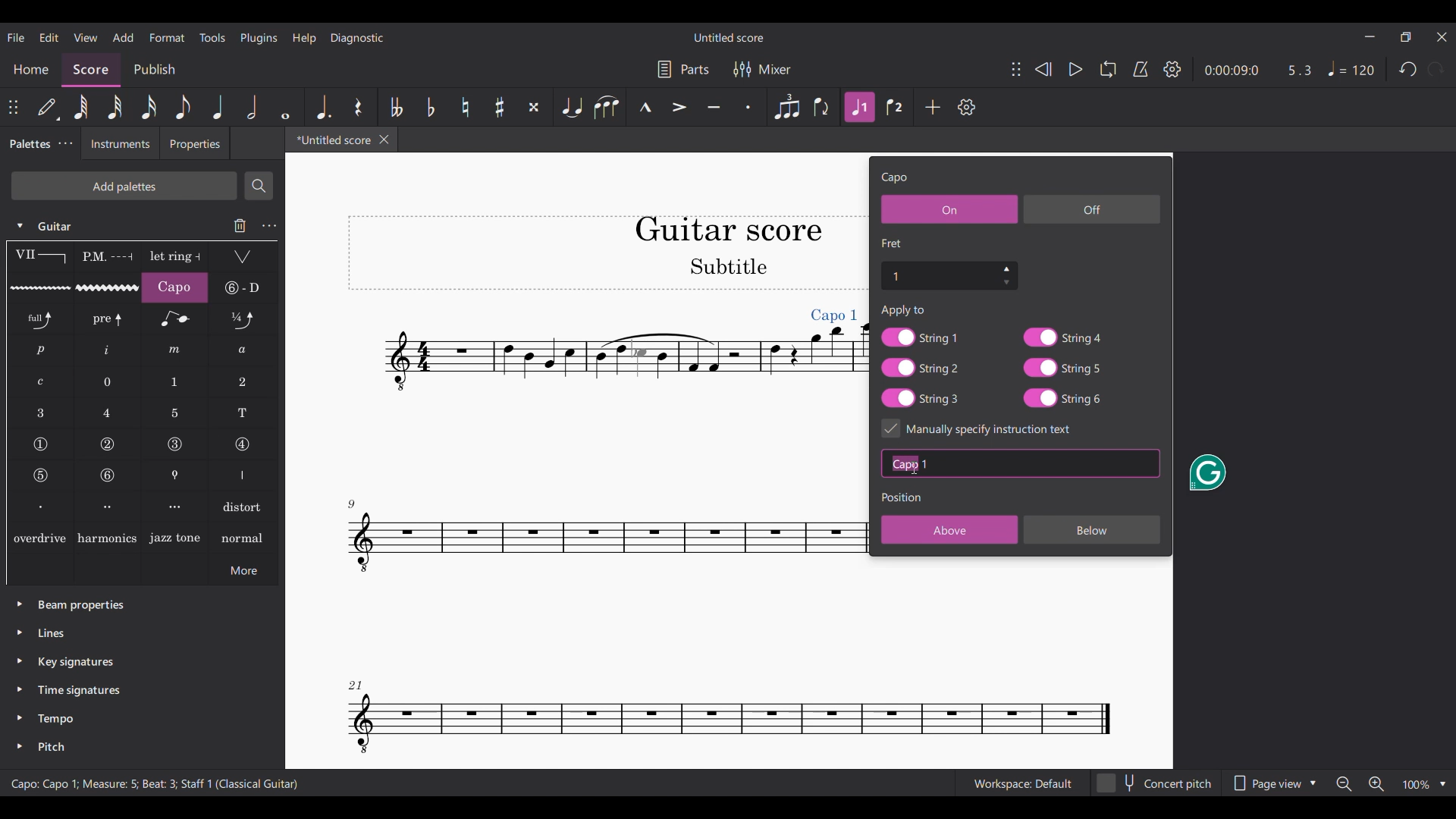  I want to click on Above, so click(950, 529).